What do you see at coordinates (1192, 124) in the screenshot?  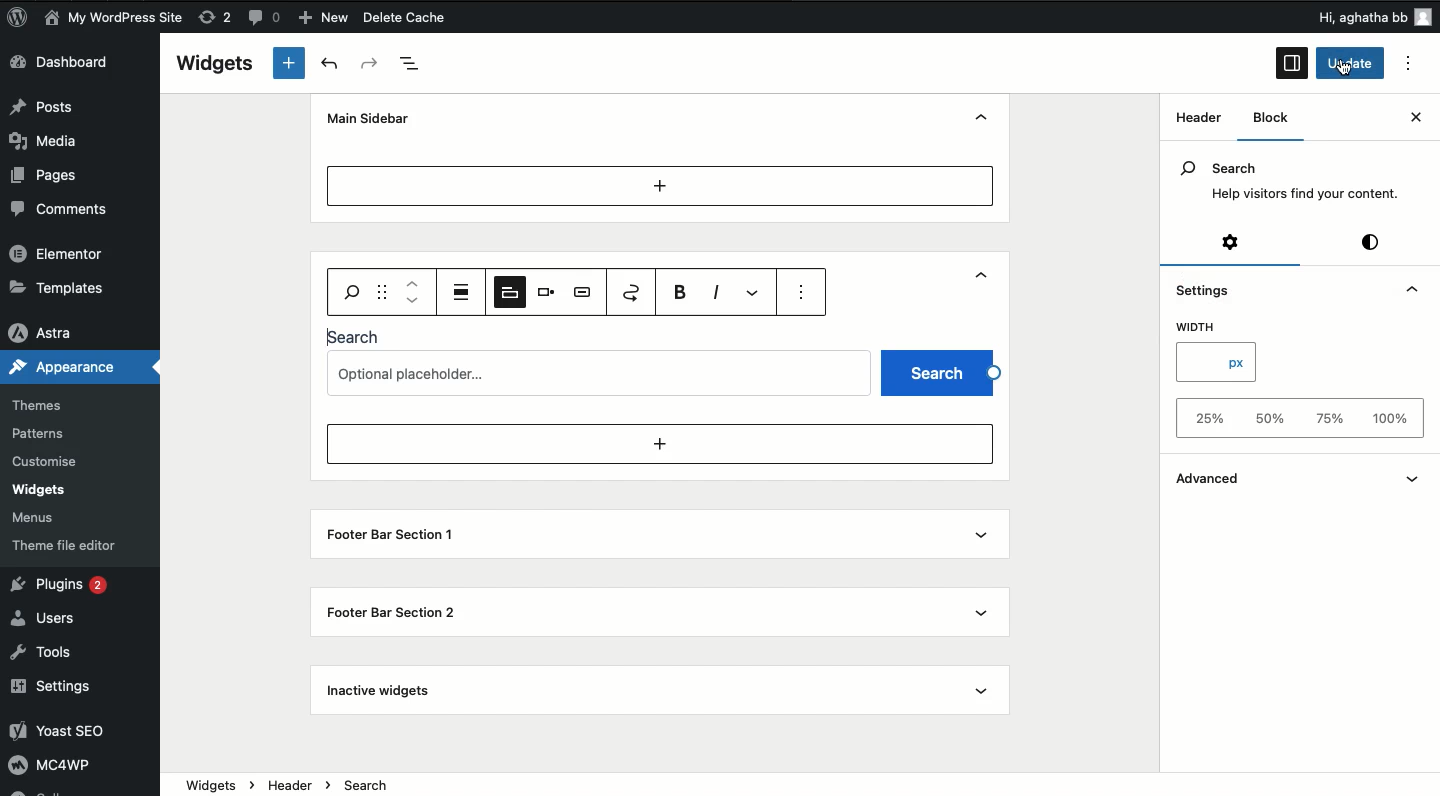 I see `Widget areas` at bounding box center [1192, 124].